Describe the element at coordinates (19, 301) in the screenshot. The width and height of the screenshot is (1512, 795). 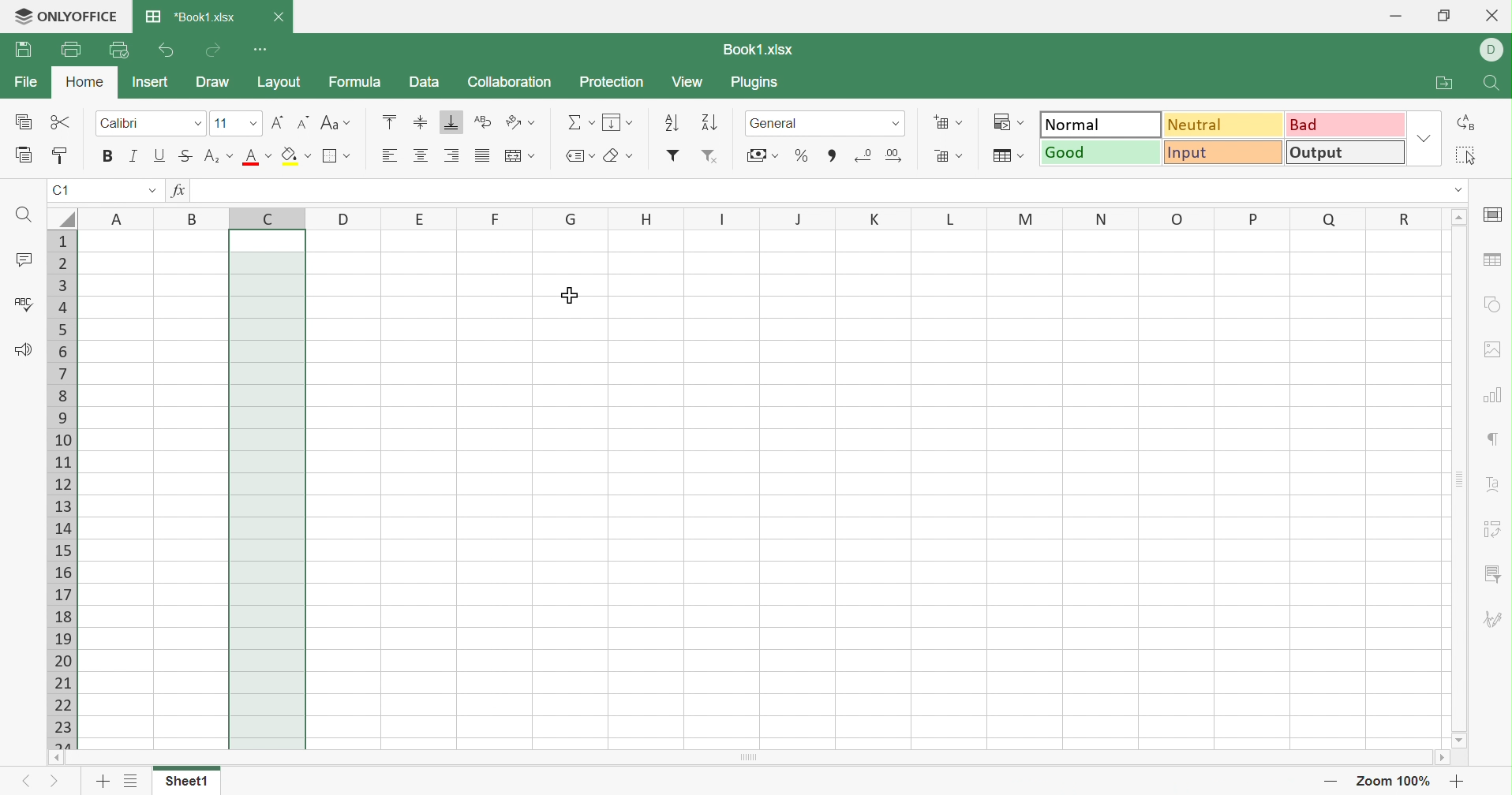
I see `Check Spelling` at that location.